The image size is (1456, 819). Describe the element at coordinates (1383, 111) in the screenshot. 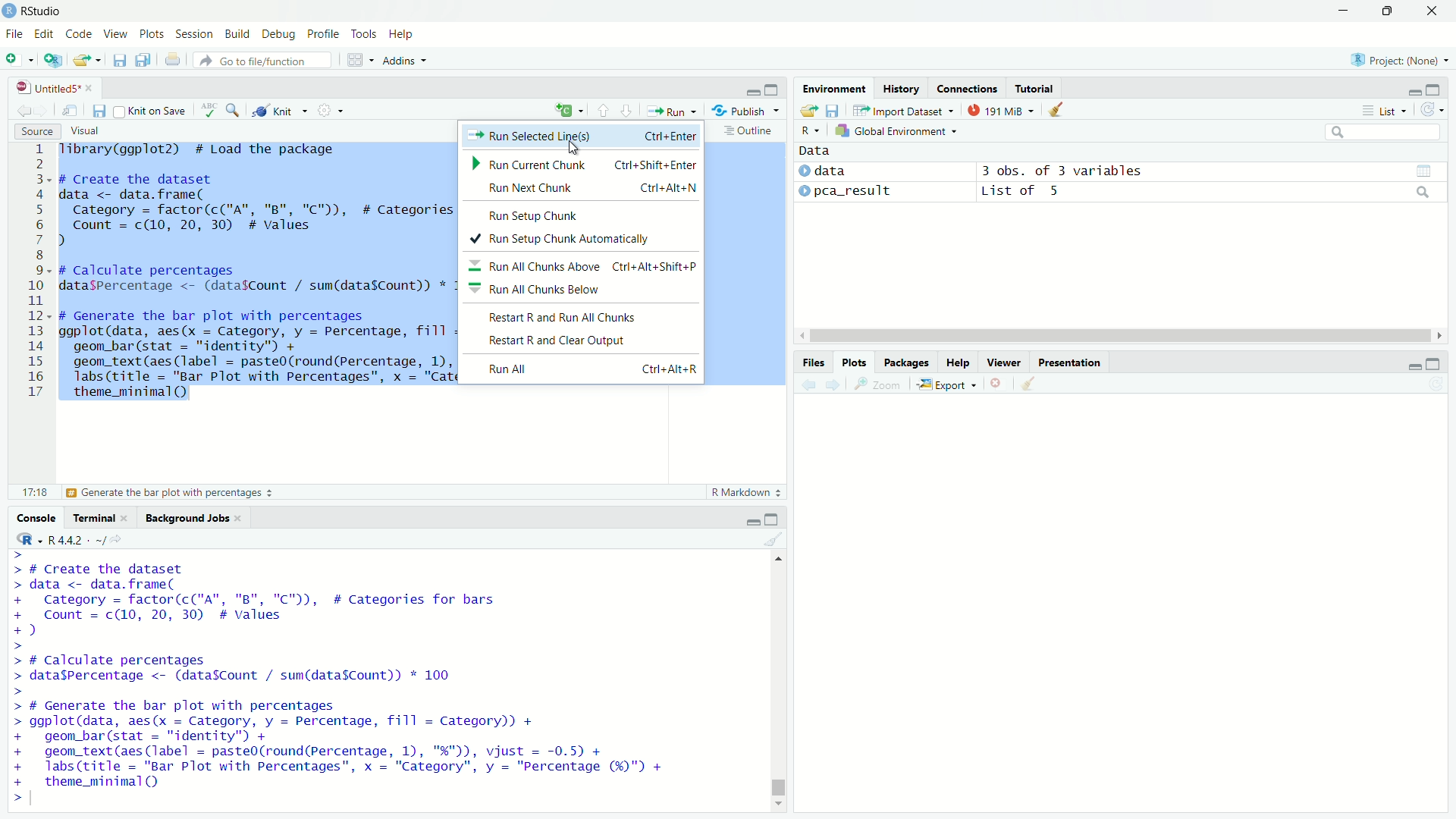

I see `list view` at that location.